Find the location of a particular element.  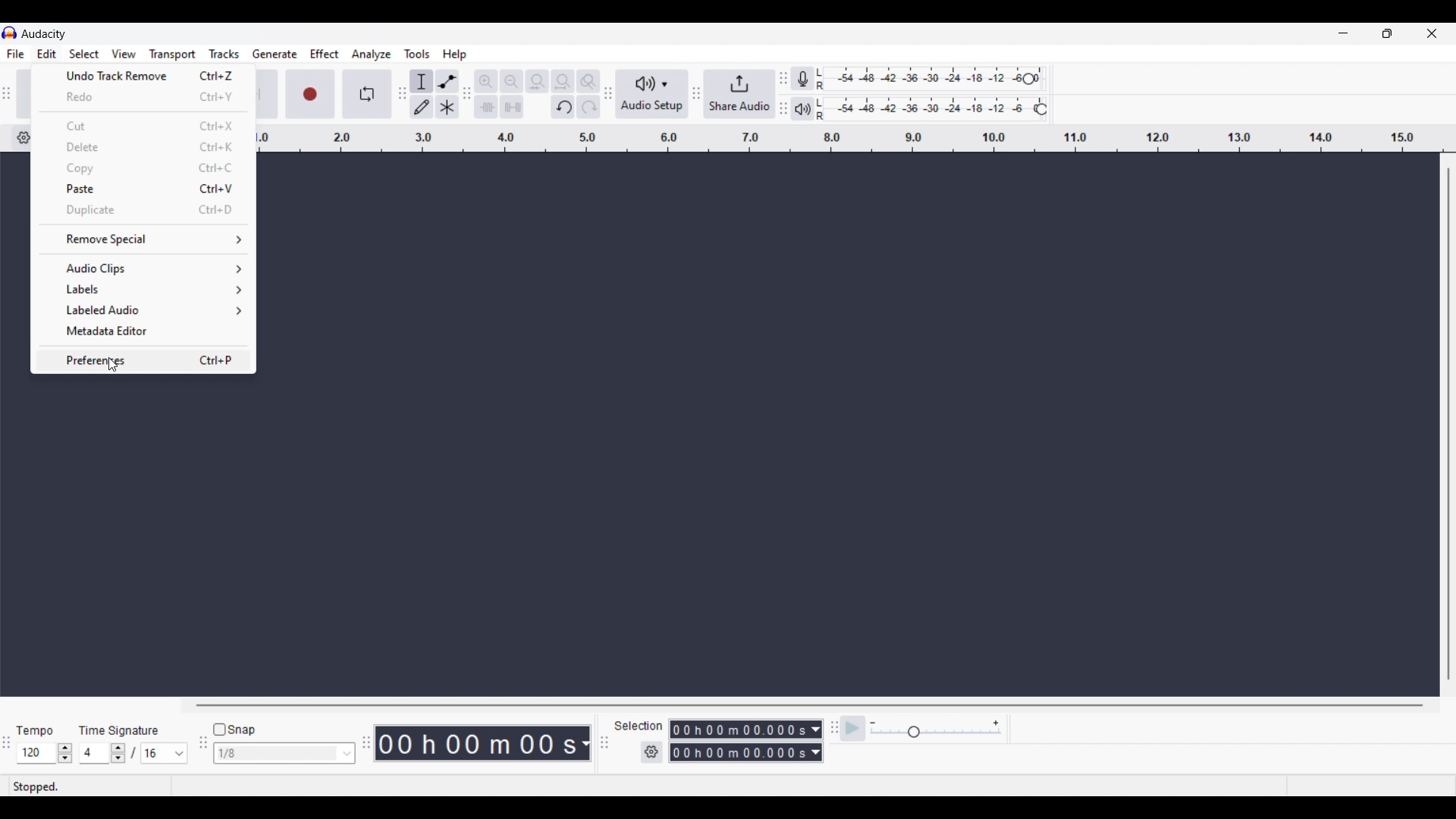

Silence audio selection is located at coordinates (512, 107).